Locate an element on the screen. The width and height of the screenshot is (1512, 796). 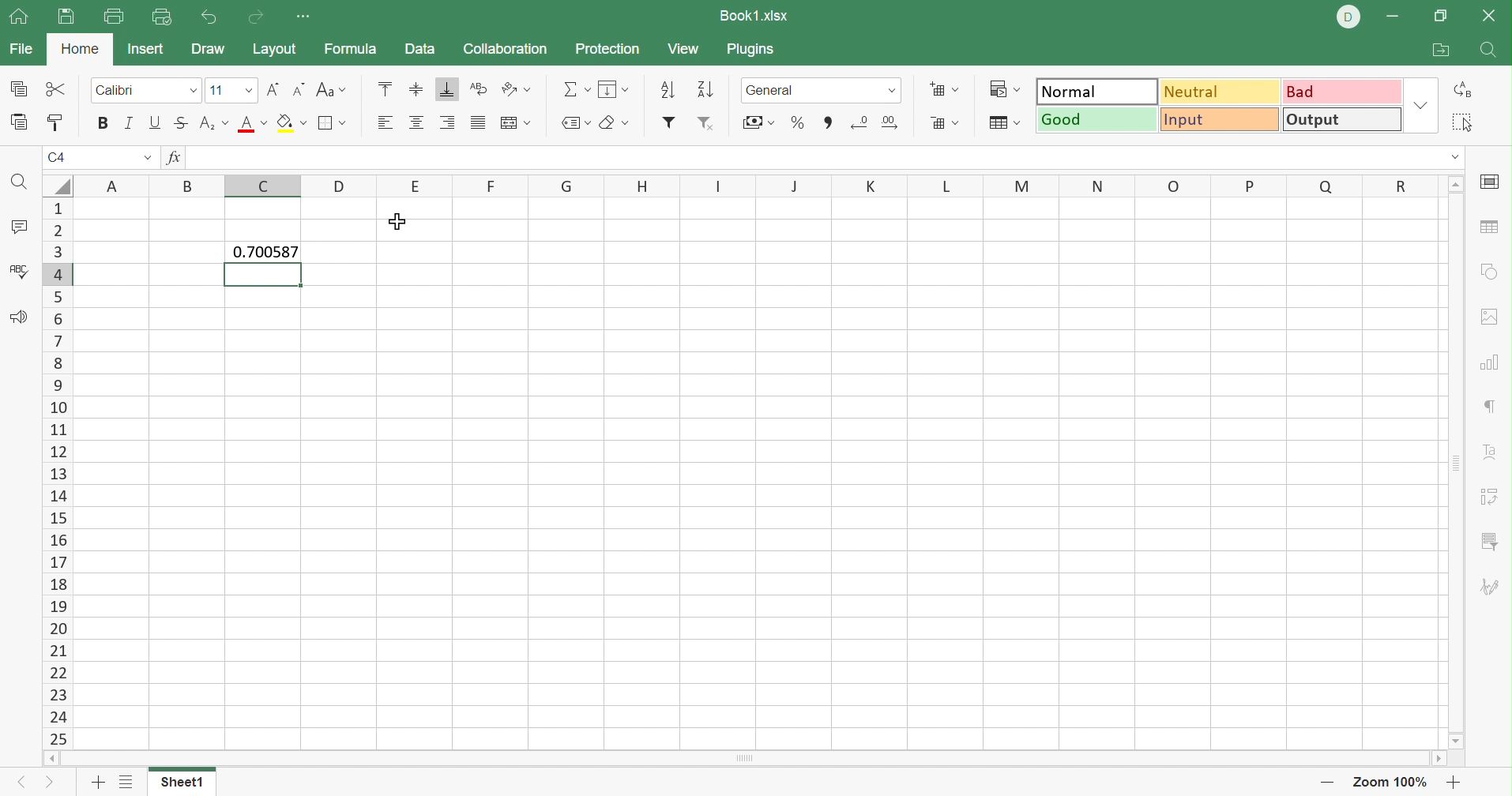
Remove filter is located at coordinates (706, 125).